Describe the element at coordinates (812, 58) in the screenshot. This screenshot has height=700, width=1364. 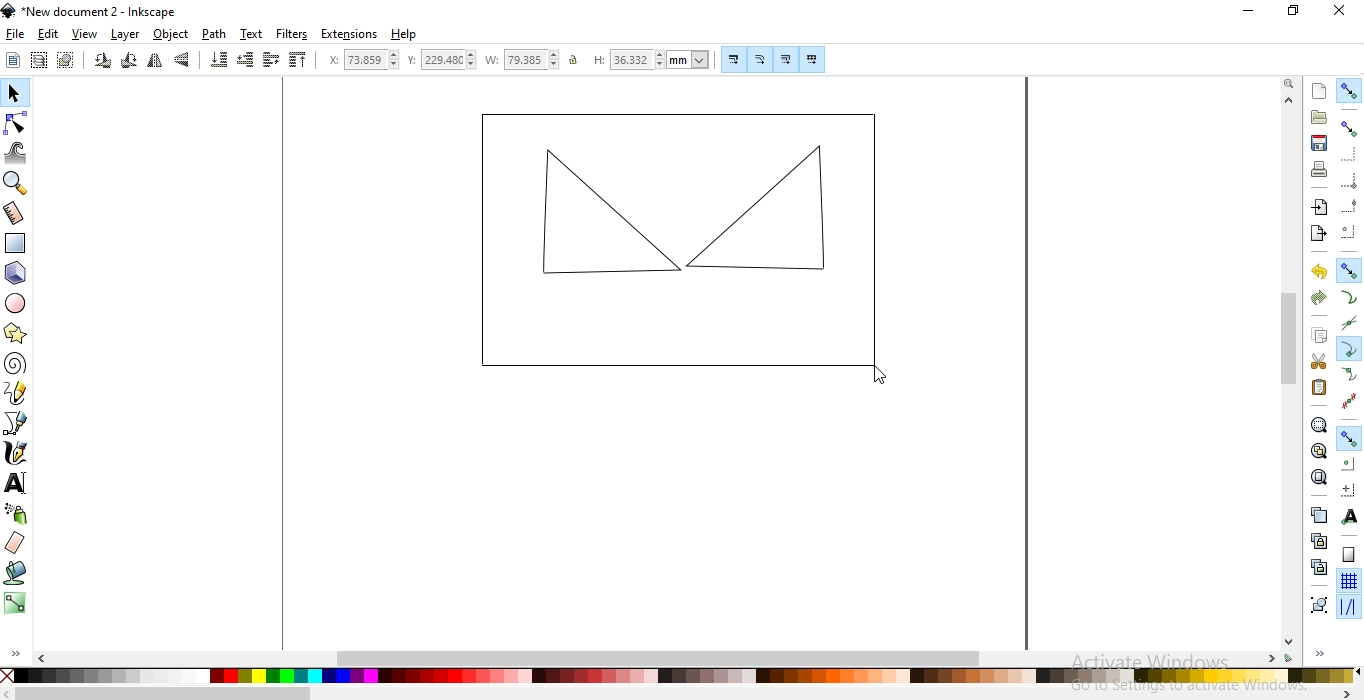
I see `move patterns along with objects` at that location.